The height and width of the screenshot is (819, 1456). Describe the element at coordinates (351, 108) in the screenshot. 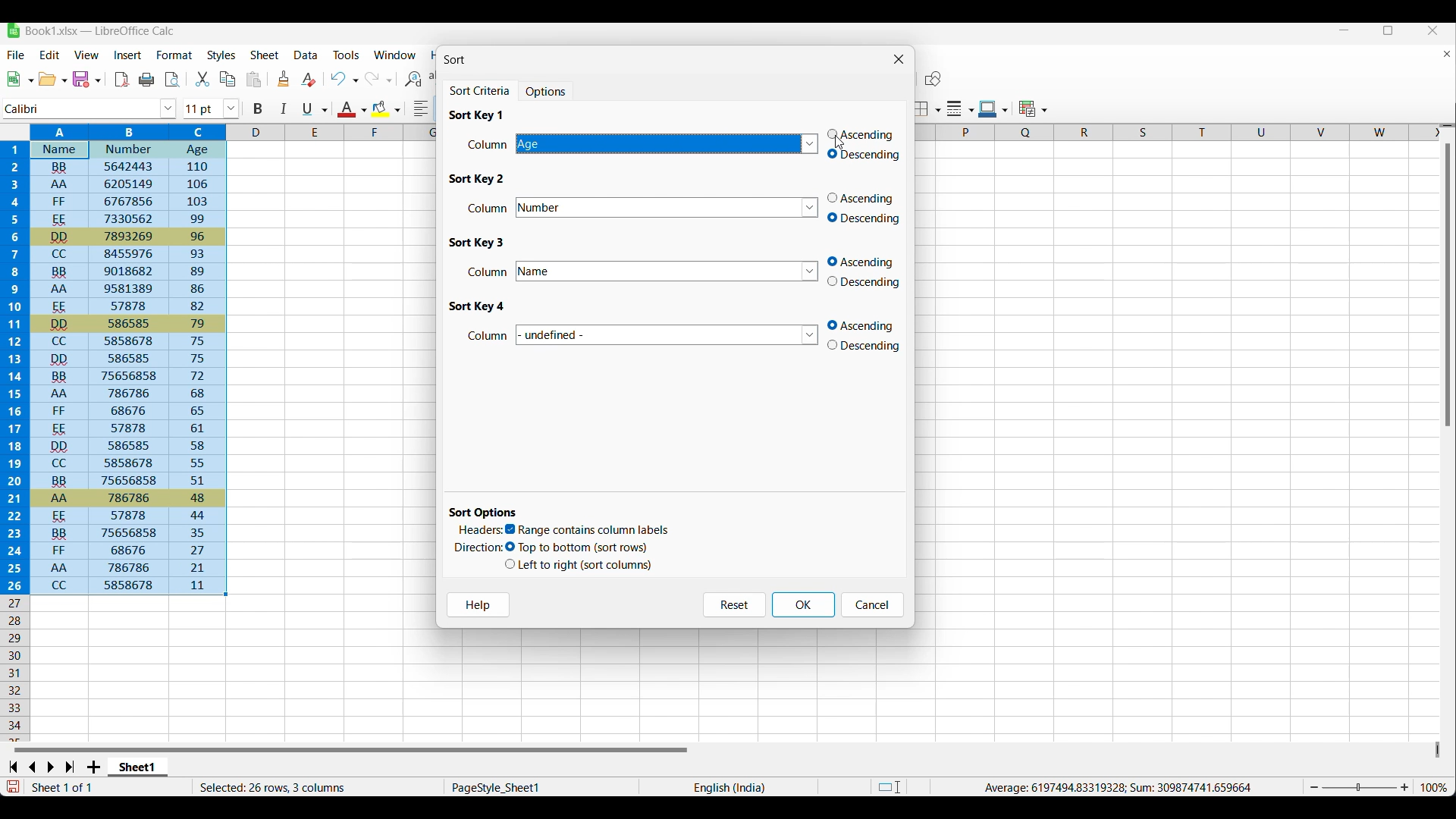

I see `Current text color and other color options` at that location.